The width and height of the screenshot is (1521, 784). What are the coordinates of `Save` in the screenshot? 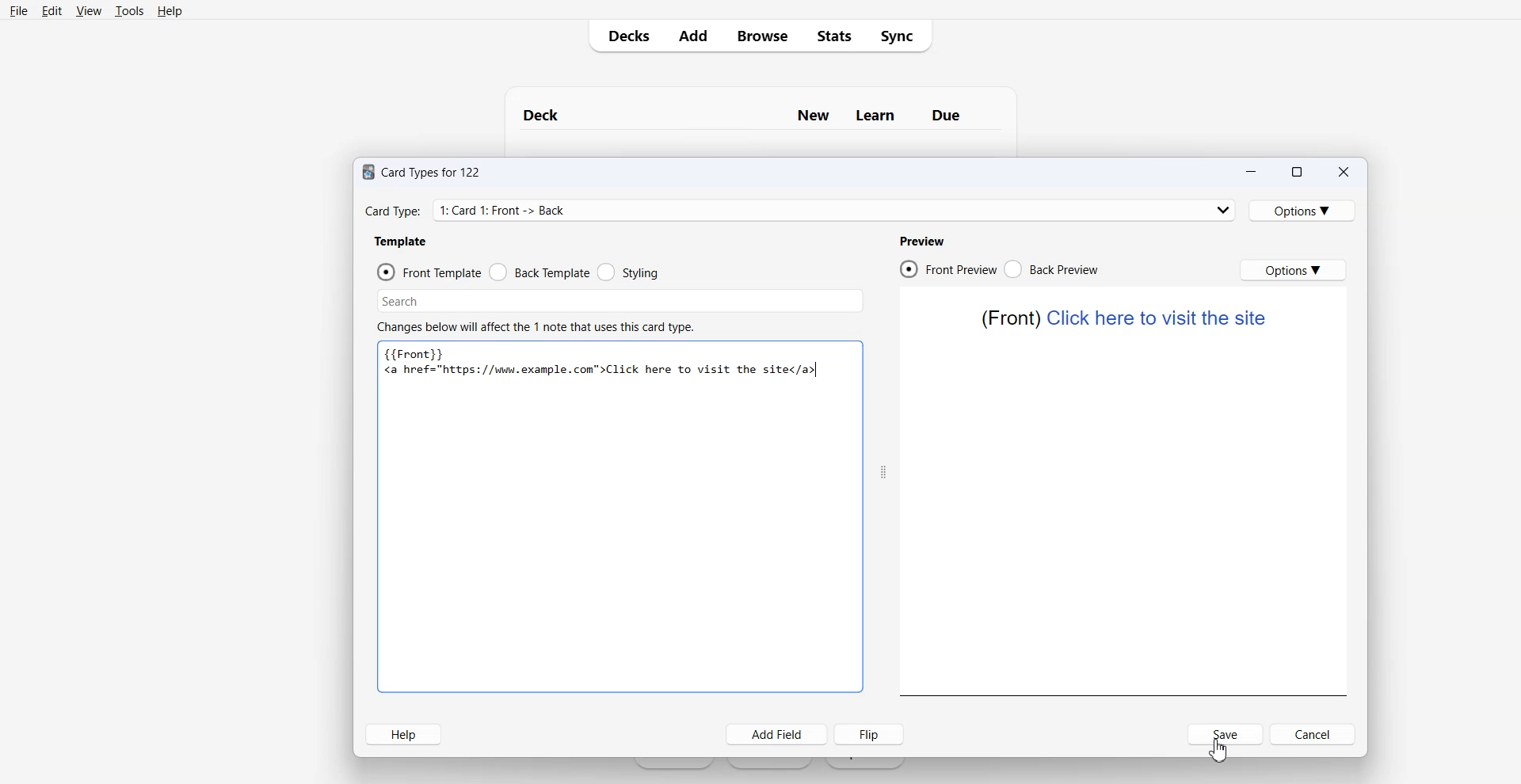 It's located at (1226, 734).